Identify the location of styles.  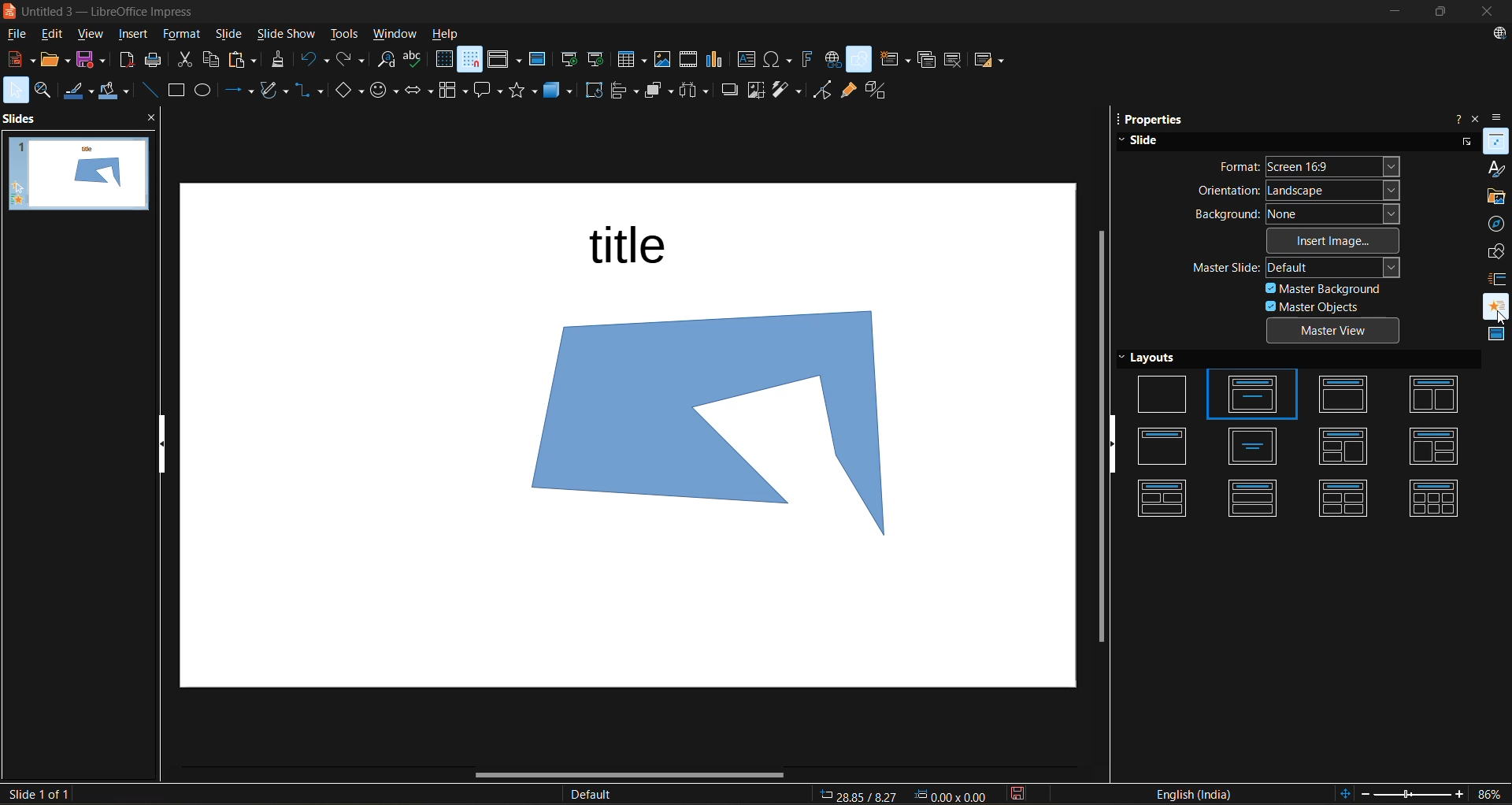
(1495, 169).